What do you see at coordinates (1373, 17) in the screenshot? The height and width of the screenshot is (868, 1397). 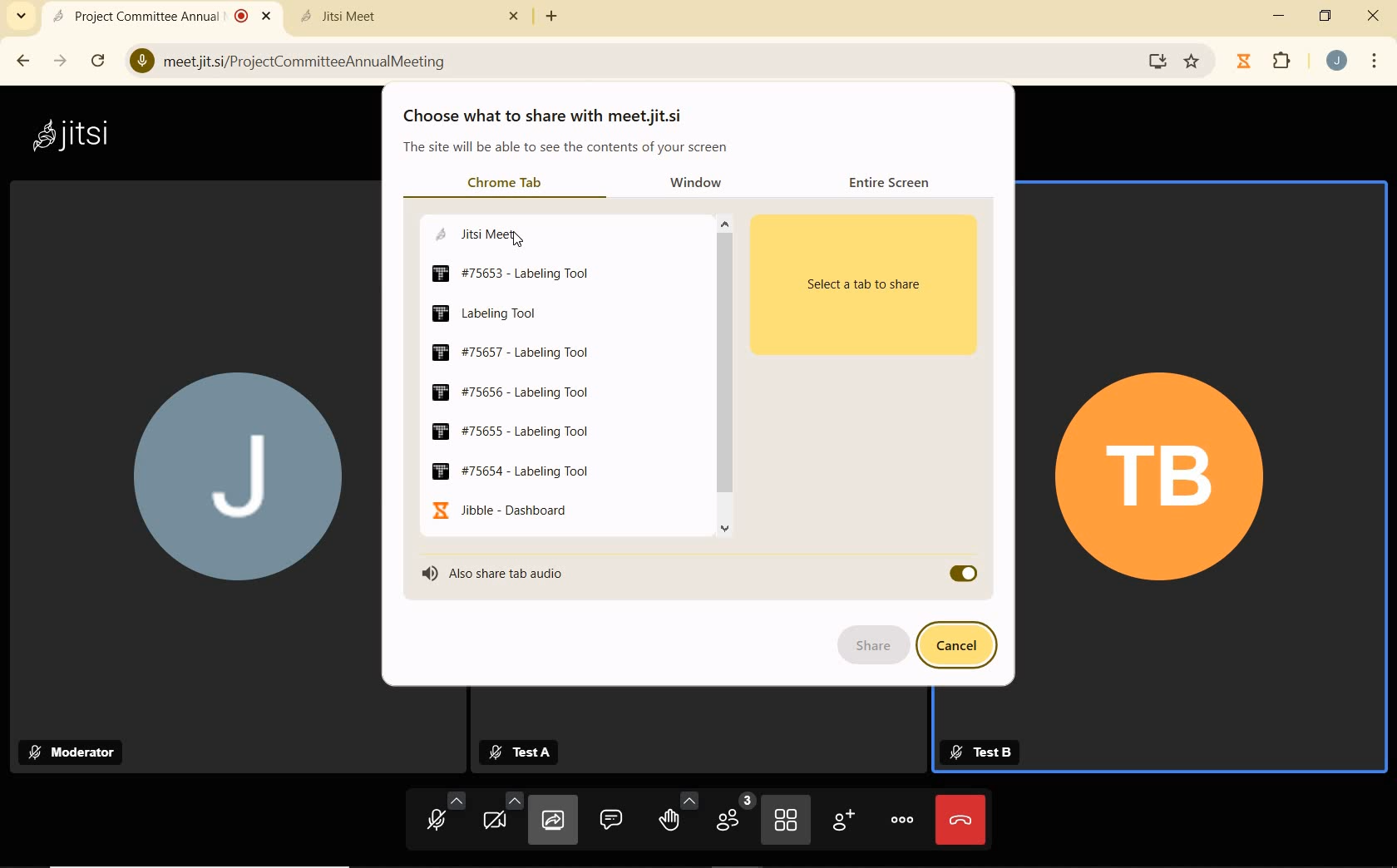 I see `close` at bounding box center [1373, 17].